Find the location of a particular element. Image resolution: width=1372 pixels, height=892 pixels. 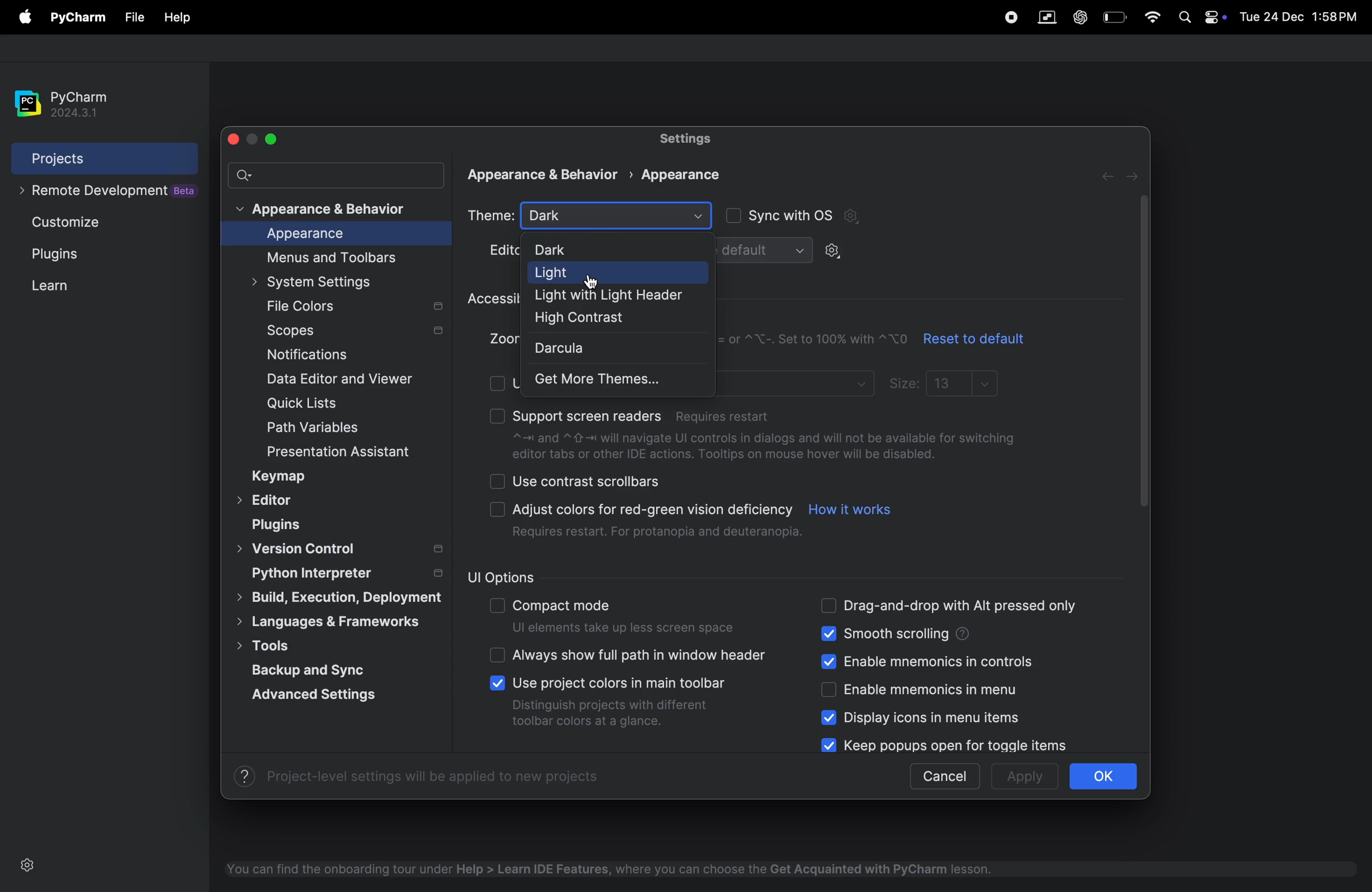

Requires restart. For protanopia and deuteranopia. is located at coordinates (651, 534).